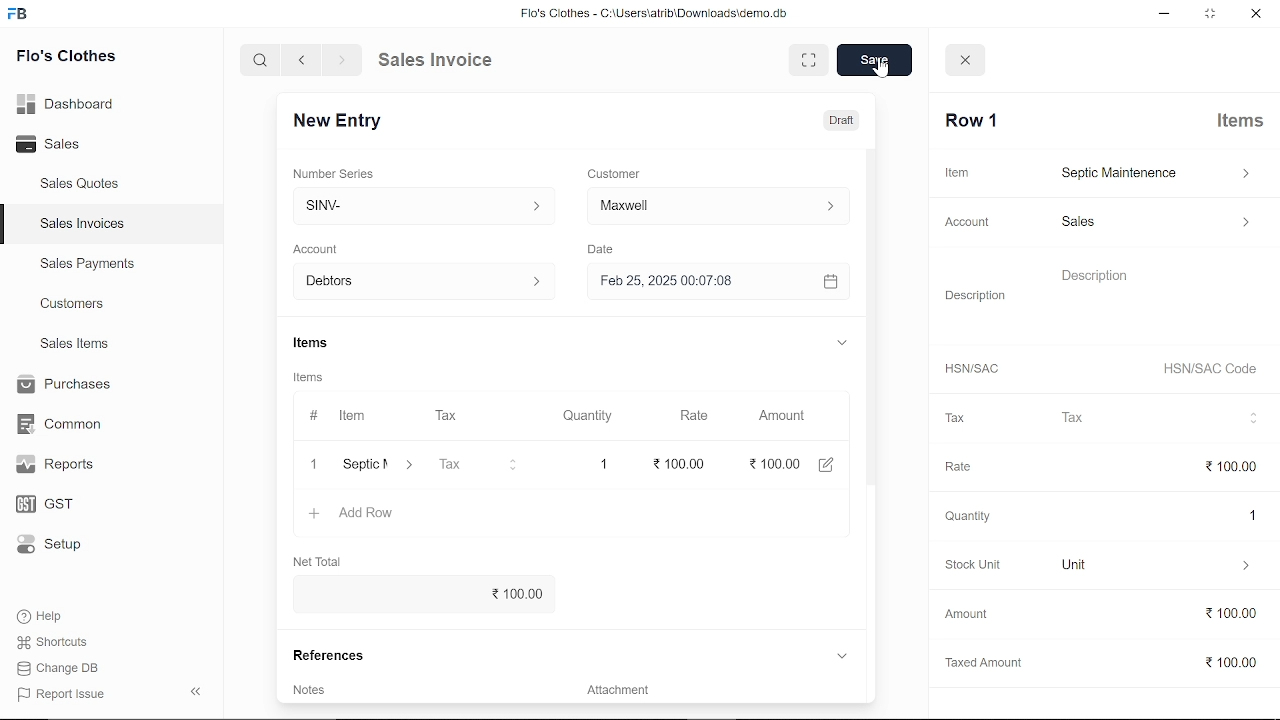  What do you see at coordinates (875, 325) in the screenshot?
I see `vertical scrollbar` at bounding box center [875, 325].